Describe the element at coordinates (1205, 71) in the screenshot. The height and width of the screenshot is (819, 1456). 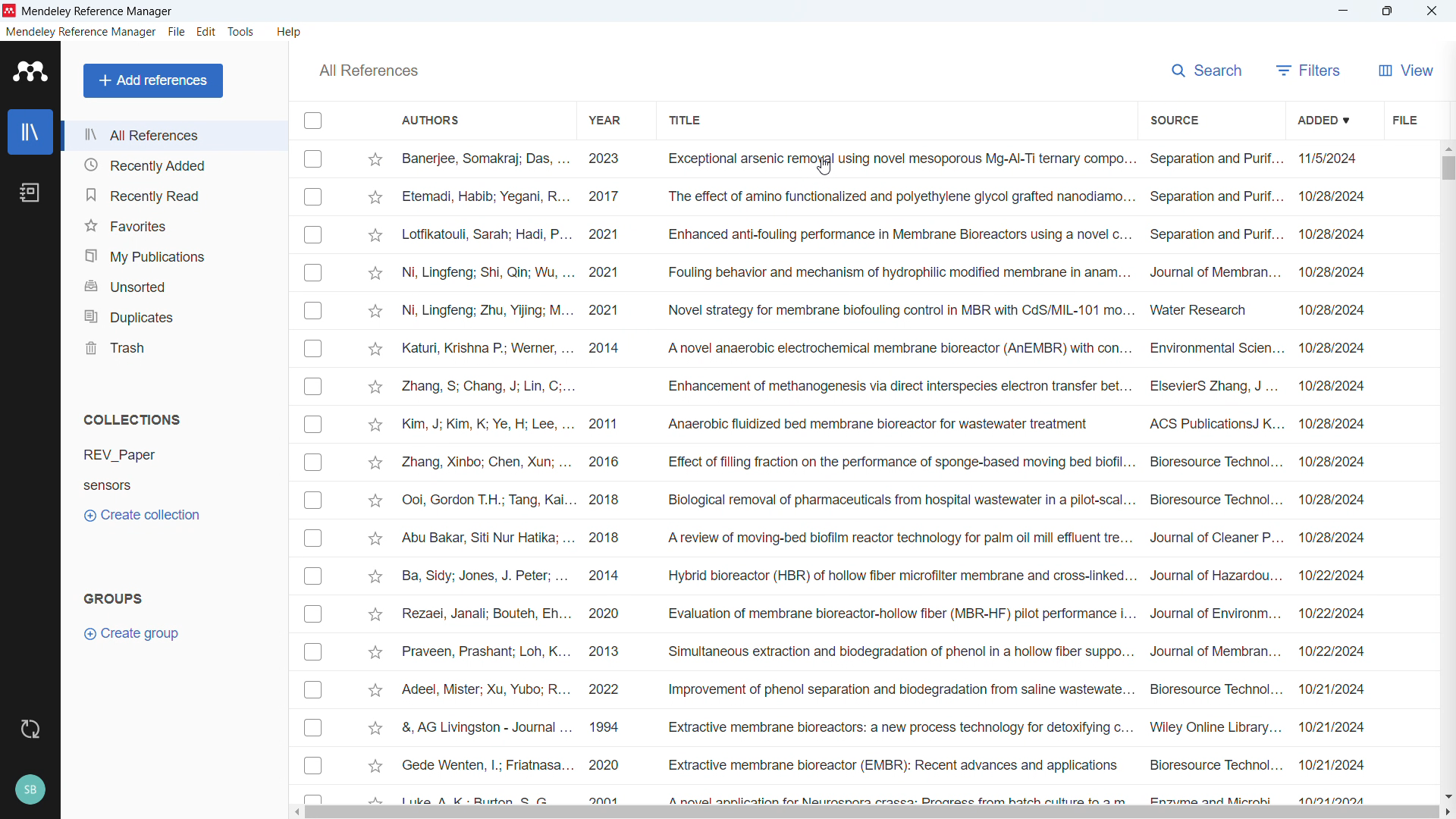
I see `search ` at that location.